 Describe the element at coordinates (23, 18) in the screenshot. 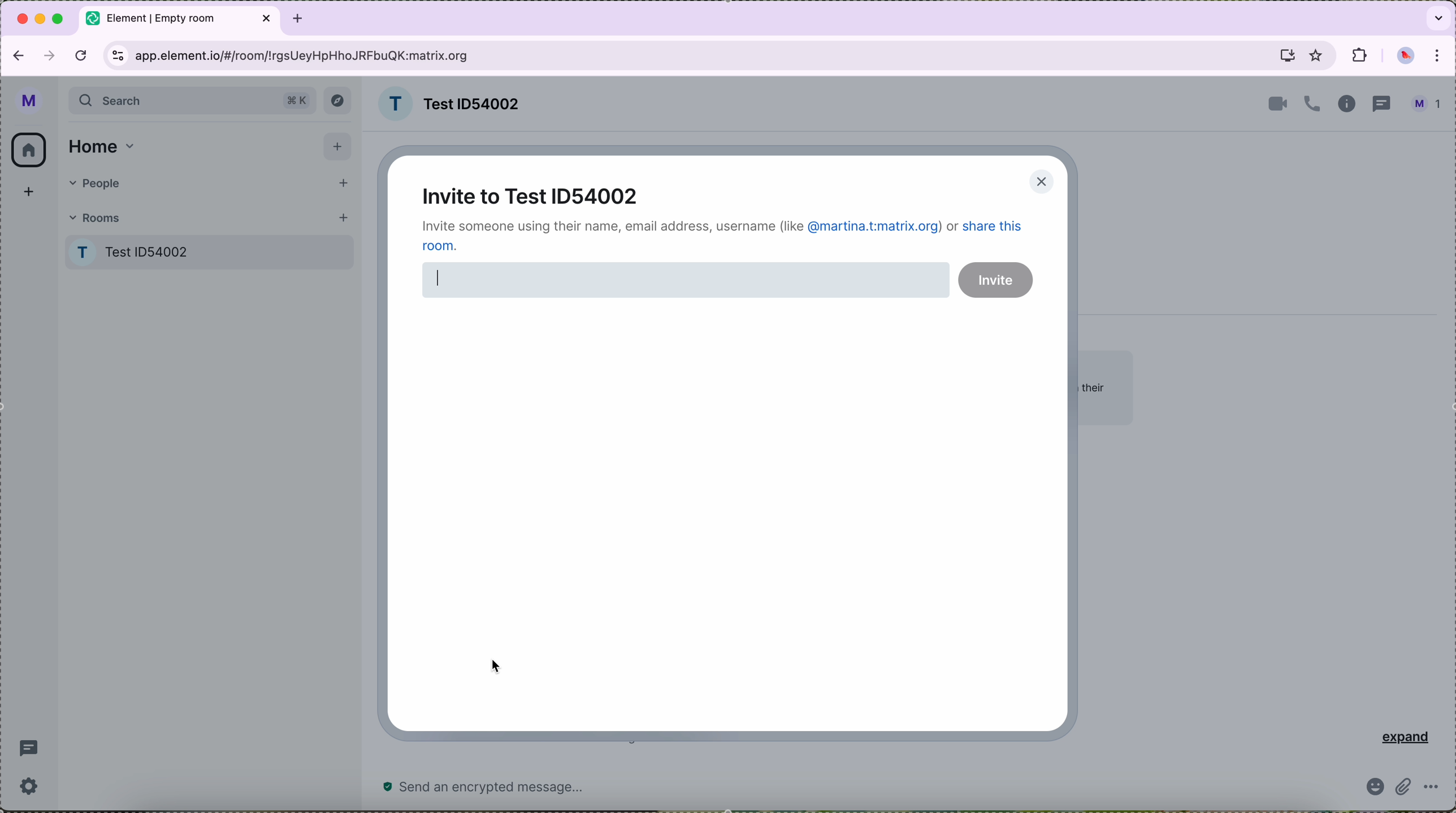

I see `close Google Chrome` at that location.